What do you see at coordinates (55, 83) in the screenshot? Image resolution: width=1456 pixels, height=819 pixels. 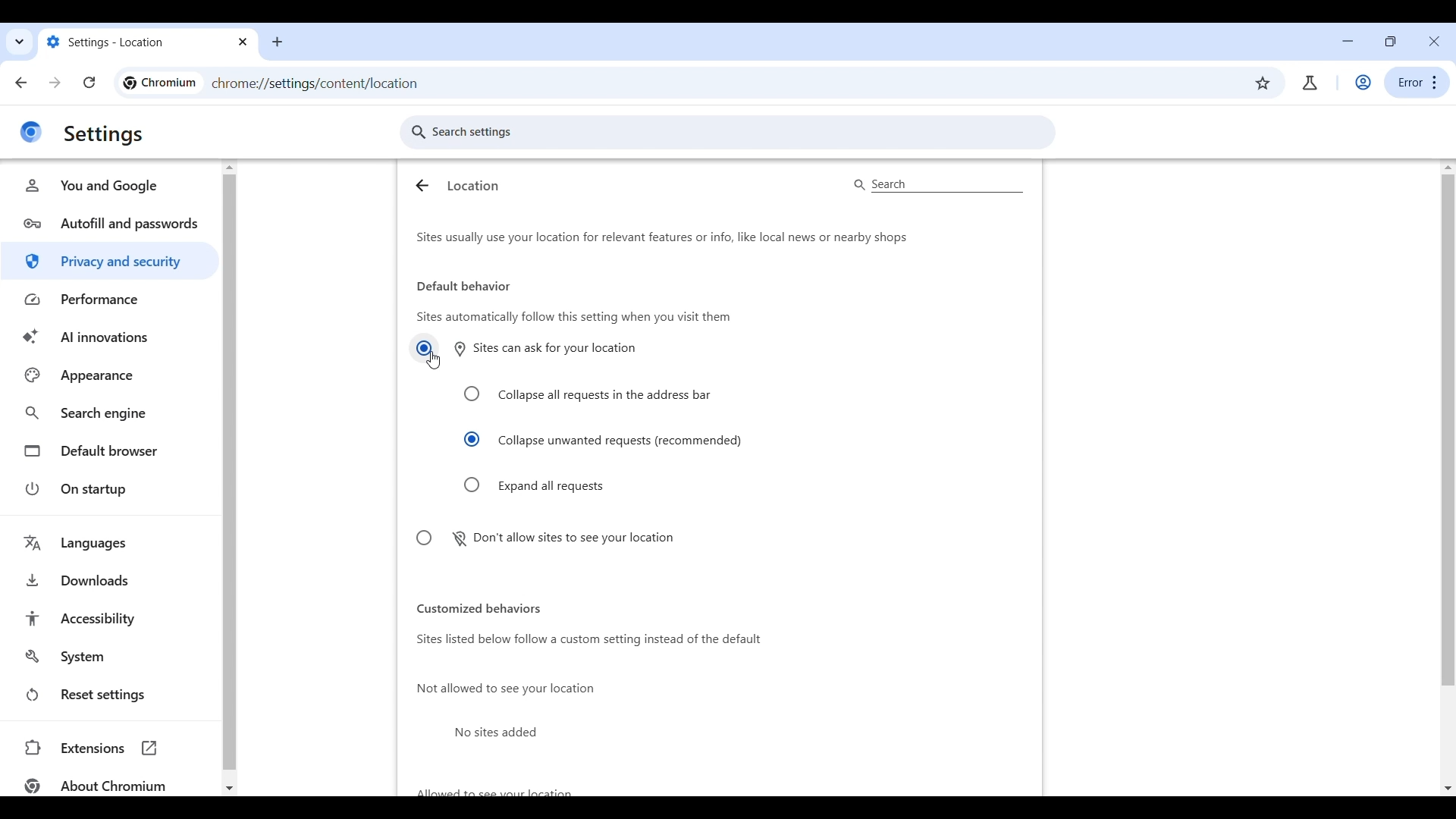 I see `Go forward` at bounding box center [55, 83].